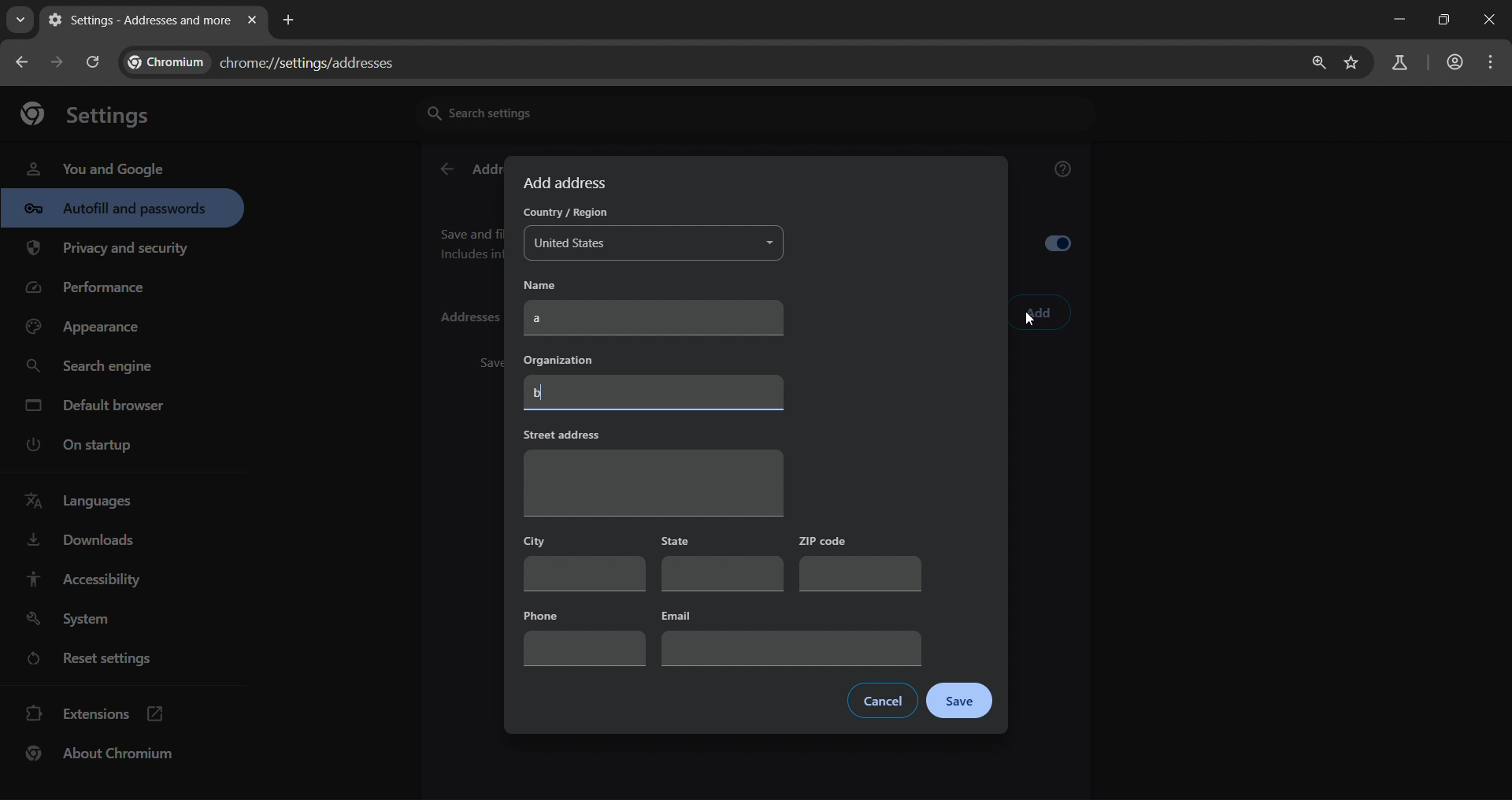 The height and width of the screenshot is (800, 1512). Describe the element at coordinates (959, 701) in the screenshot. I see `save` at that location.